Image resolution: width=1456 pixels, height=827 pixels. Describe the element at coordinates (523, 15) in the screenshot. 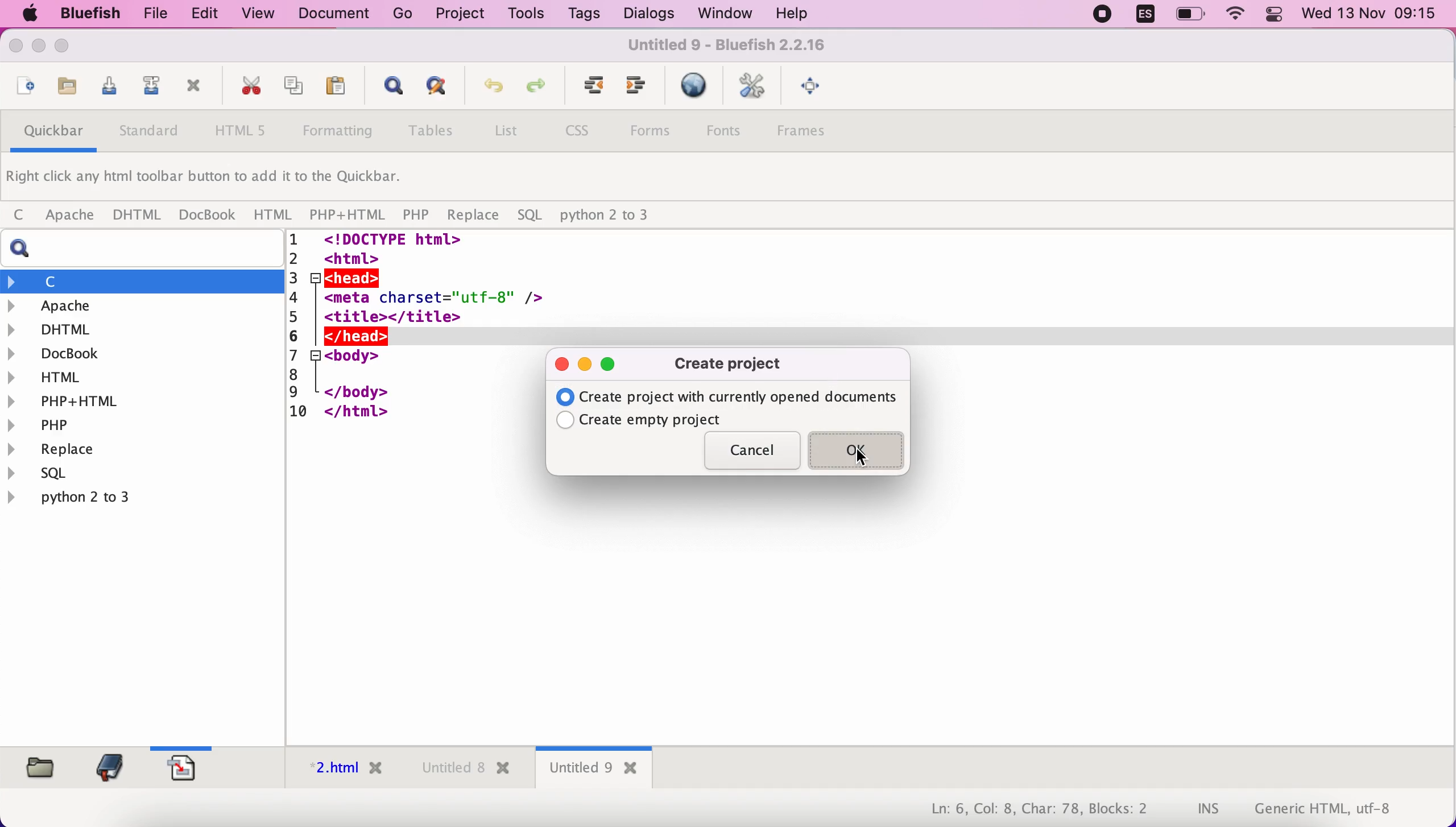

I see `tools` at that location.